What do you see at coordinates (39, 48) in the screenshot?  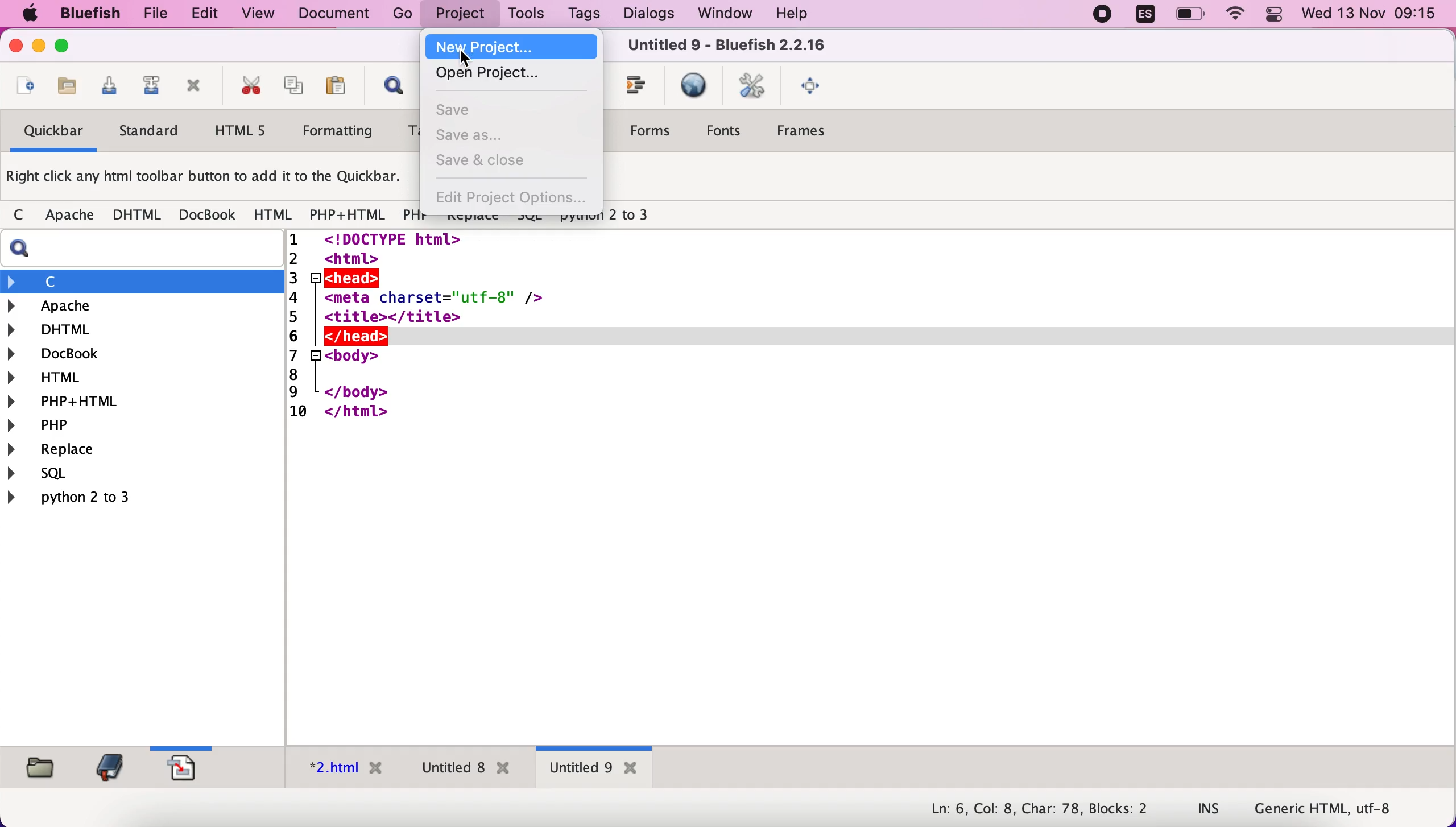 I see `minimize` at bounding box center [39, 48].